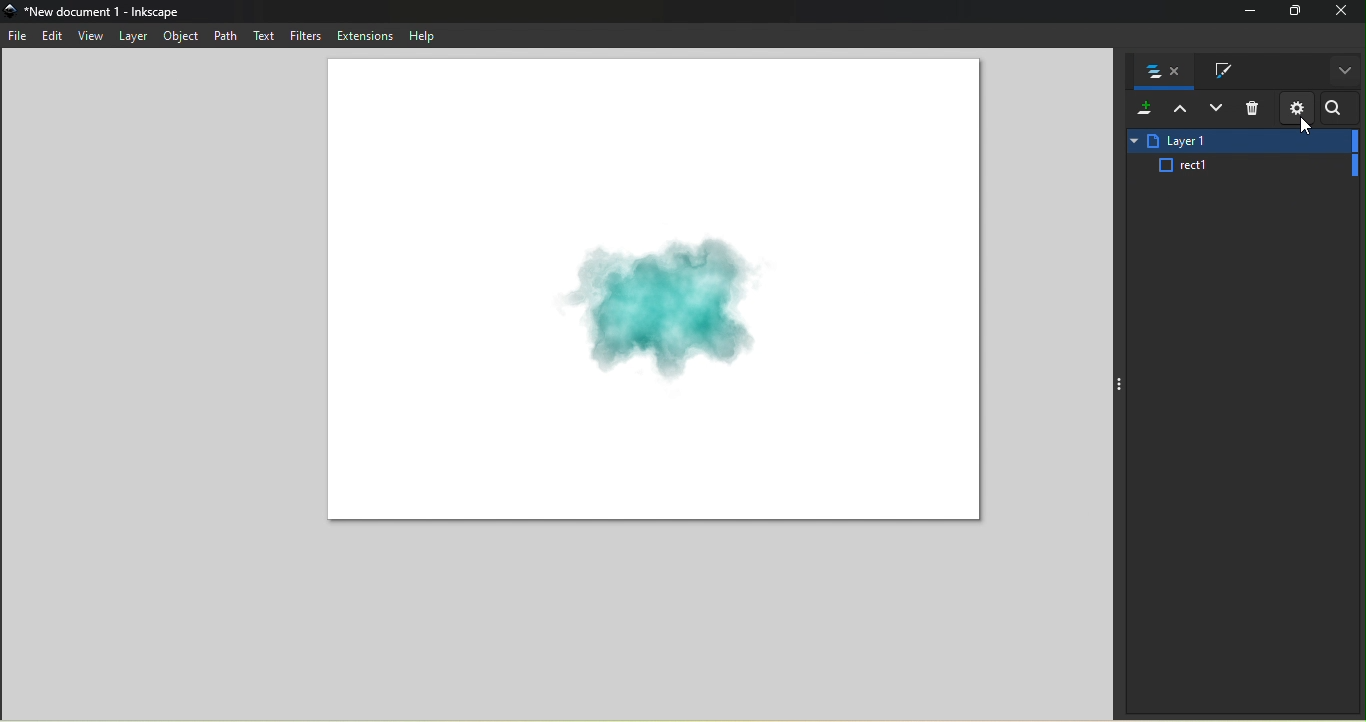 The image size is (1366, 722). I want to click on Layer and objects, so click(1161, 72).